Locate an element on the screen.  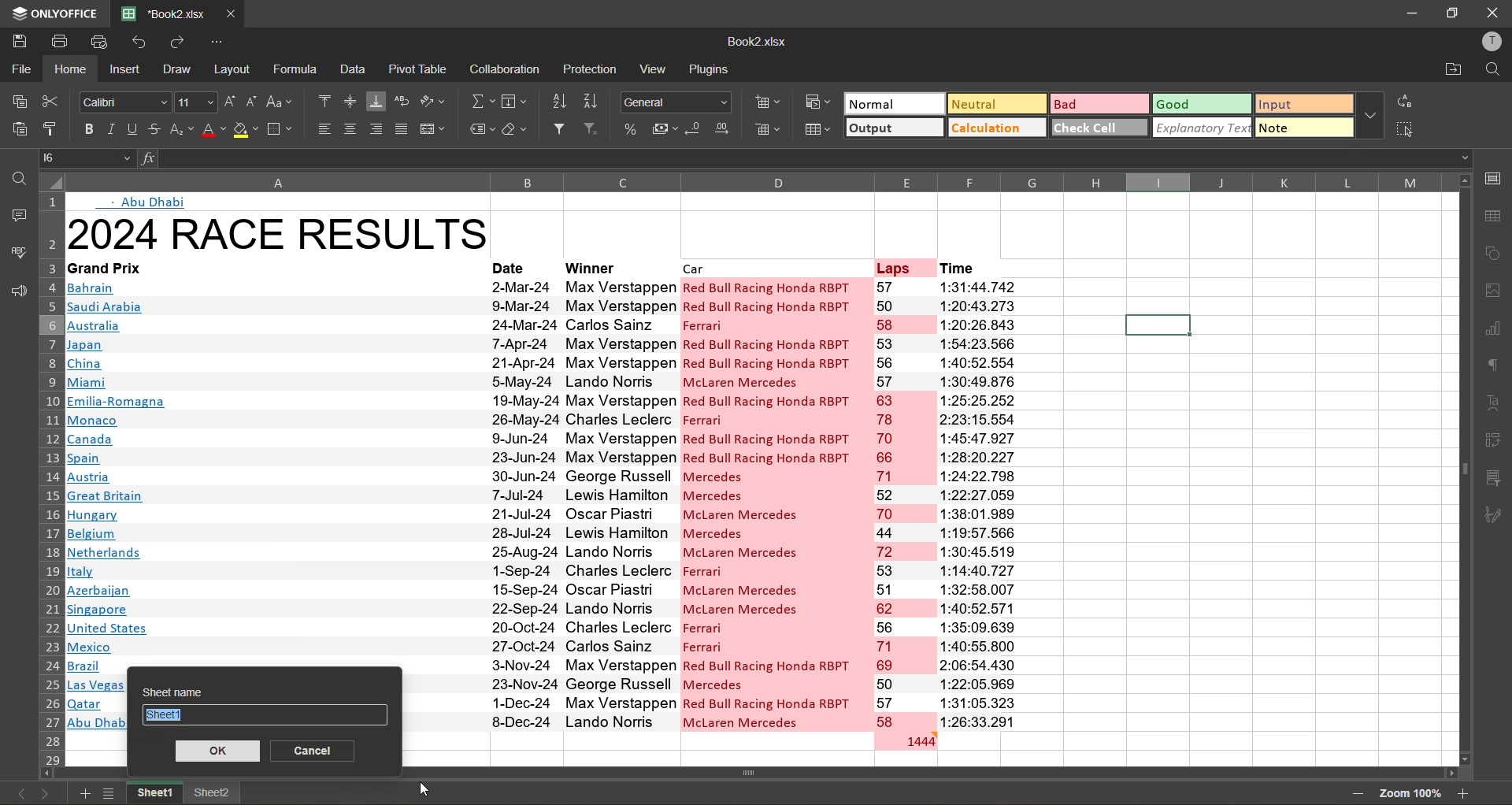
slicer is located at coordinates (1493, 477).